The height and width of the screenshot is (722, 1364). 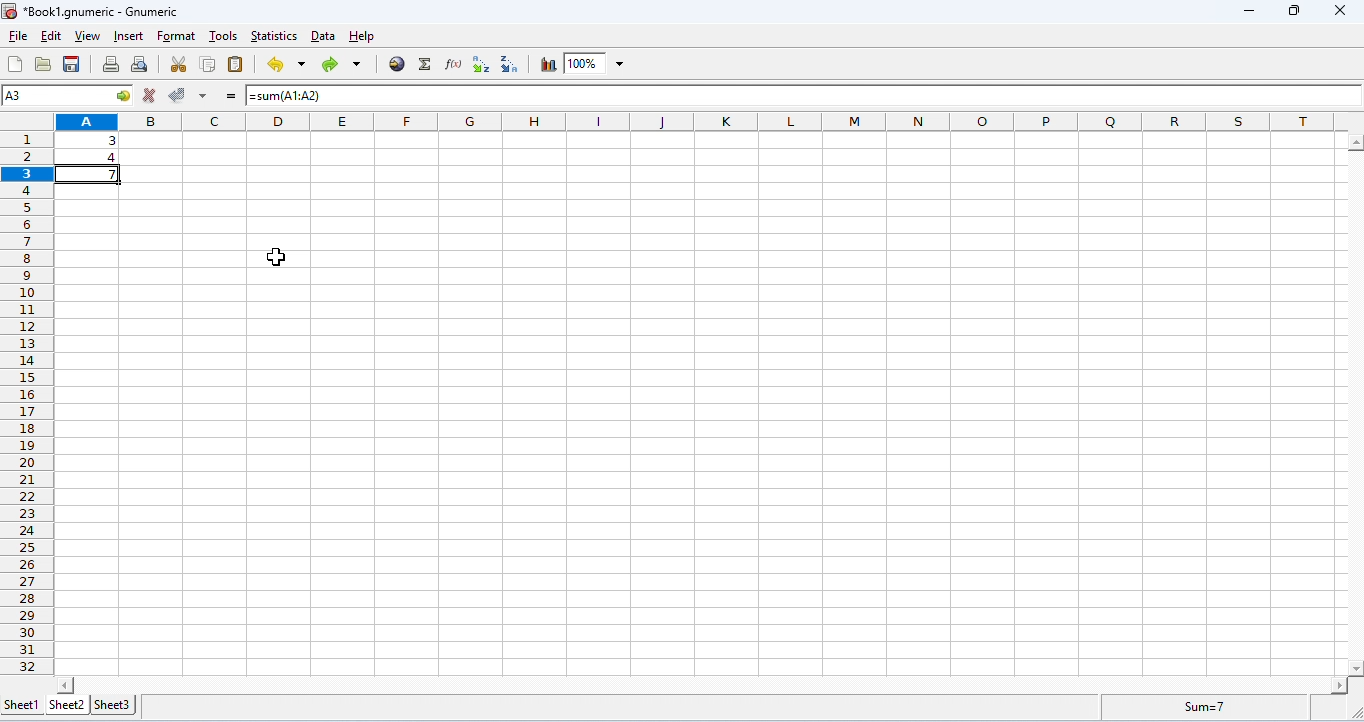 I want to click on accept, so click(x=177, y=95).